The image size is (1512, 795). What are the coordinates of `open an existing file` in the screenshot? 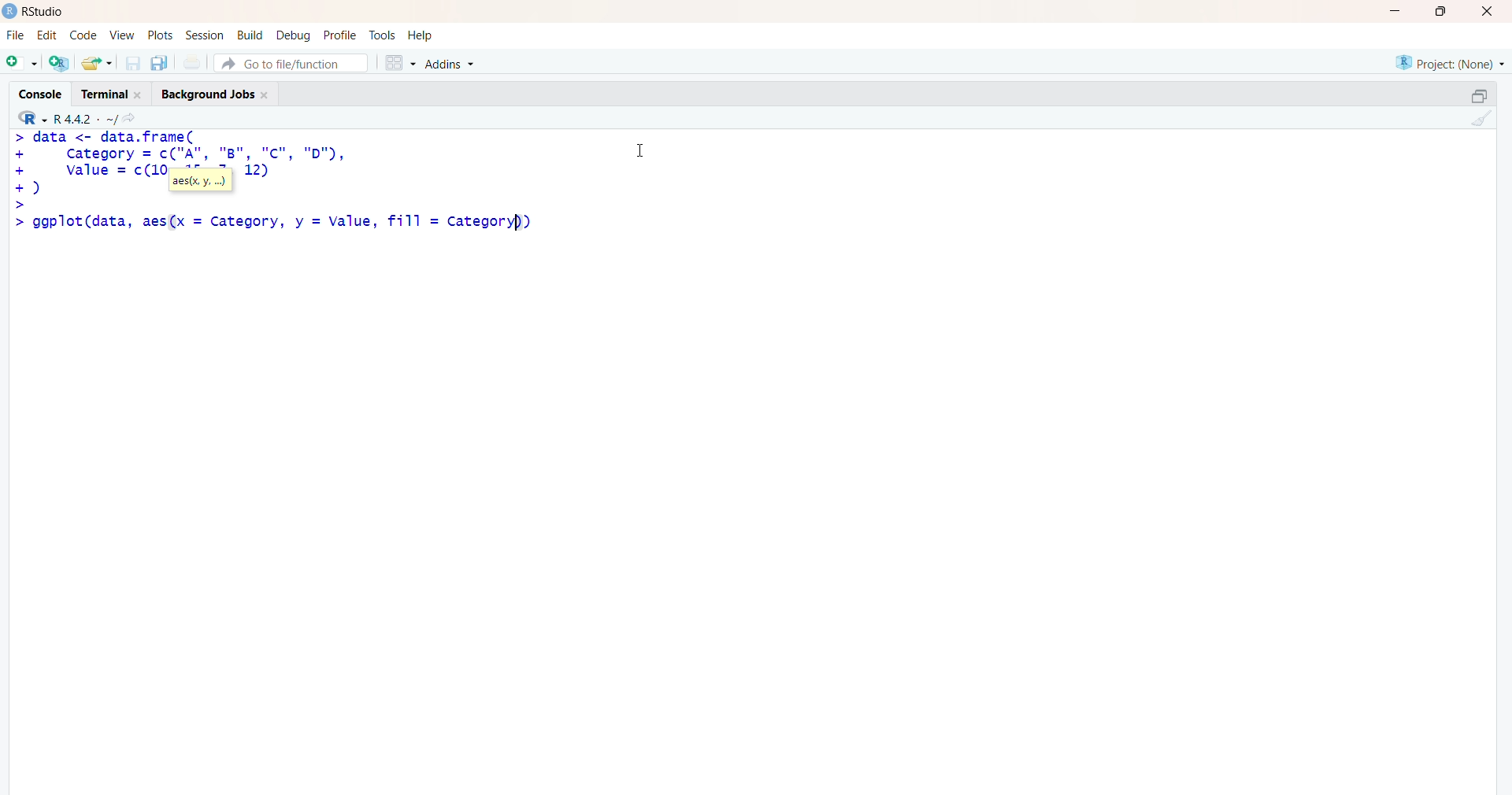 It's located at (96, 62).